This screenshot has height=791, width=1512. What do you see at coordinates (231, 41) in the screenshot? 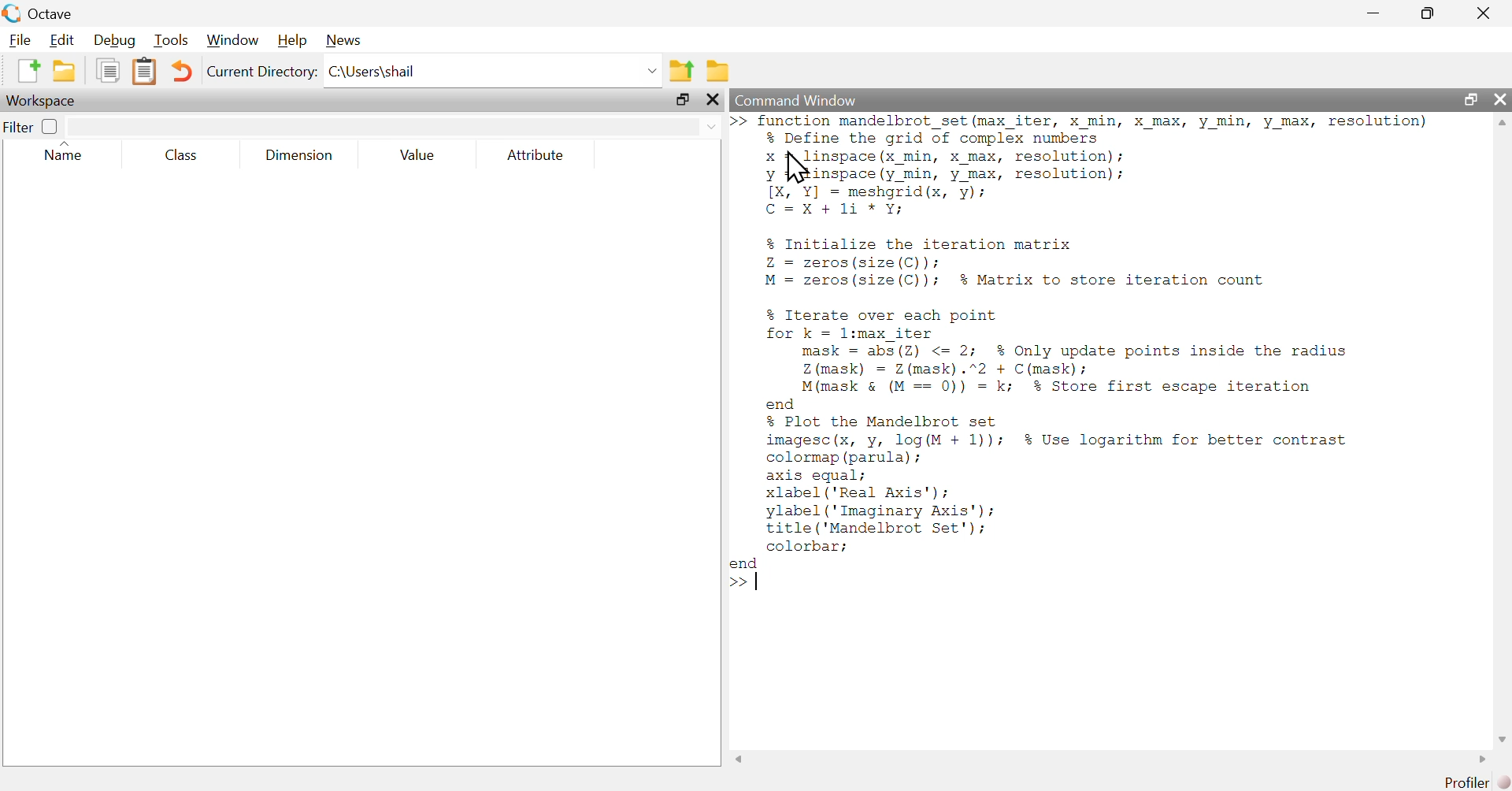
I see `Window` at bounding box center [231, 41].